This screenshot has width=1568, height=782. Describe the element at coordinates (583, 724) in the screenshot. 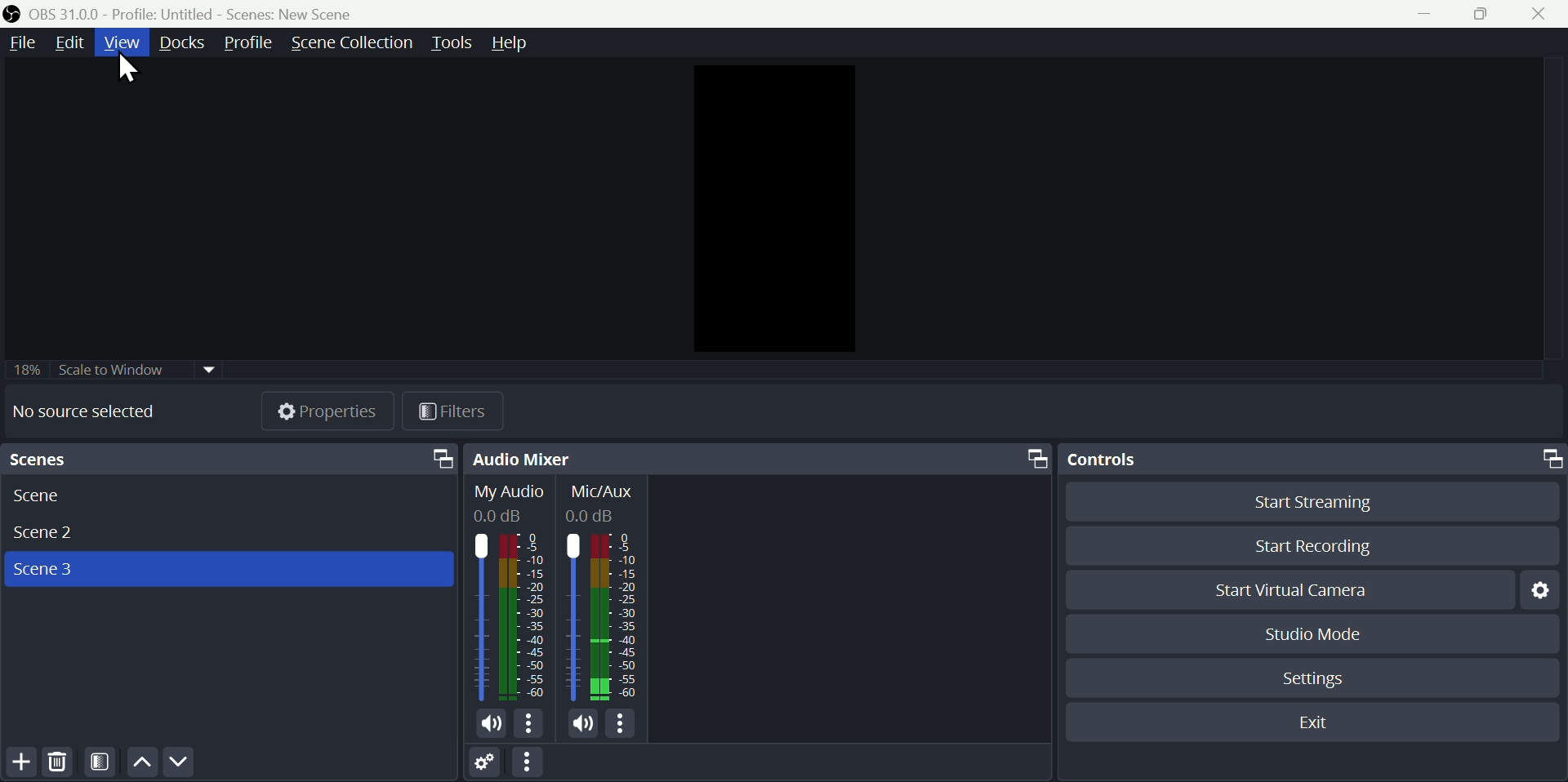

I see `(un)mute` at that location.